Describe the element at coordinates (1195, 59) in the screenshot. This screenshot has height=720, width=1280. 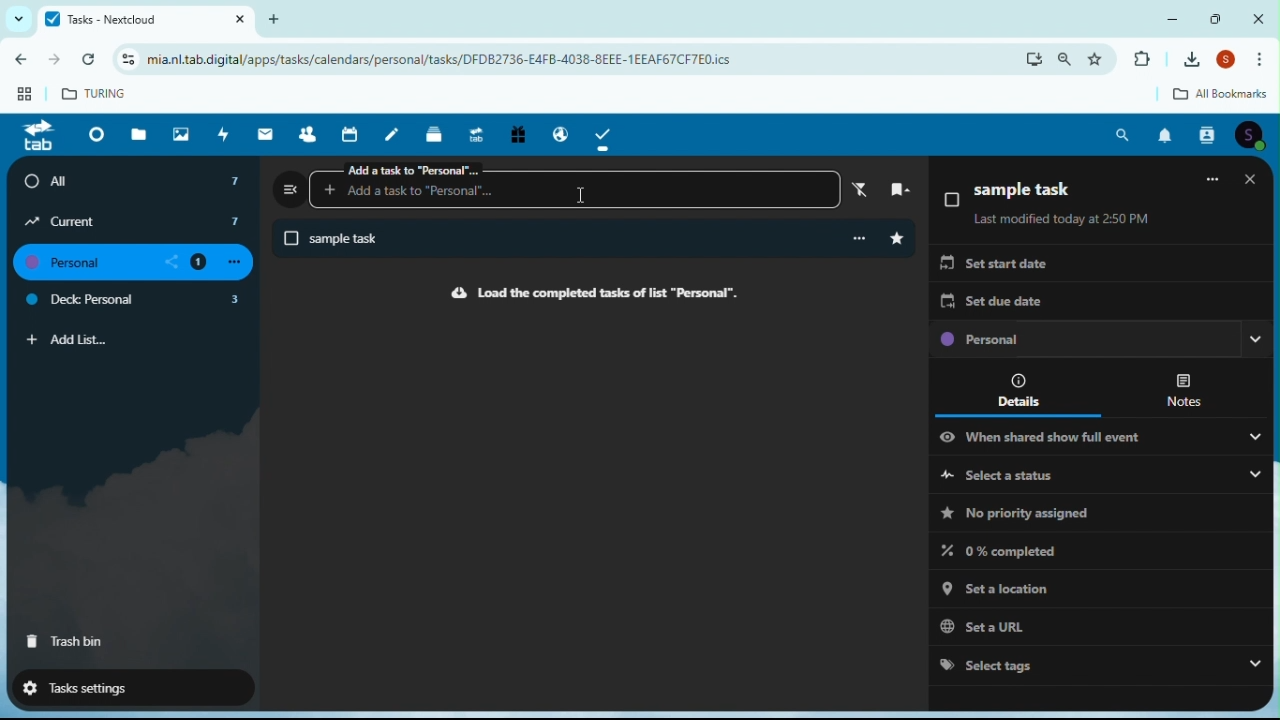
I see `Downloads` at that location.